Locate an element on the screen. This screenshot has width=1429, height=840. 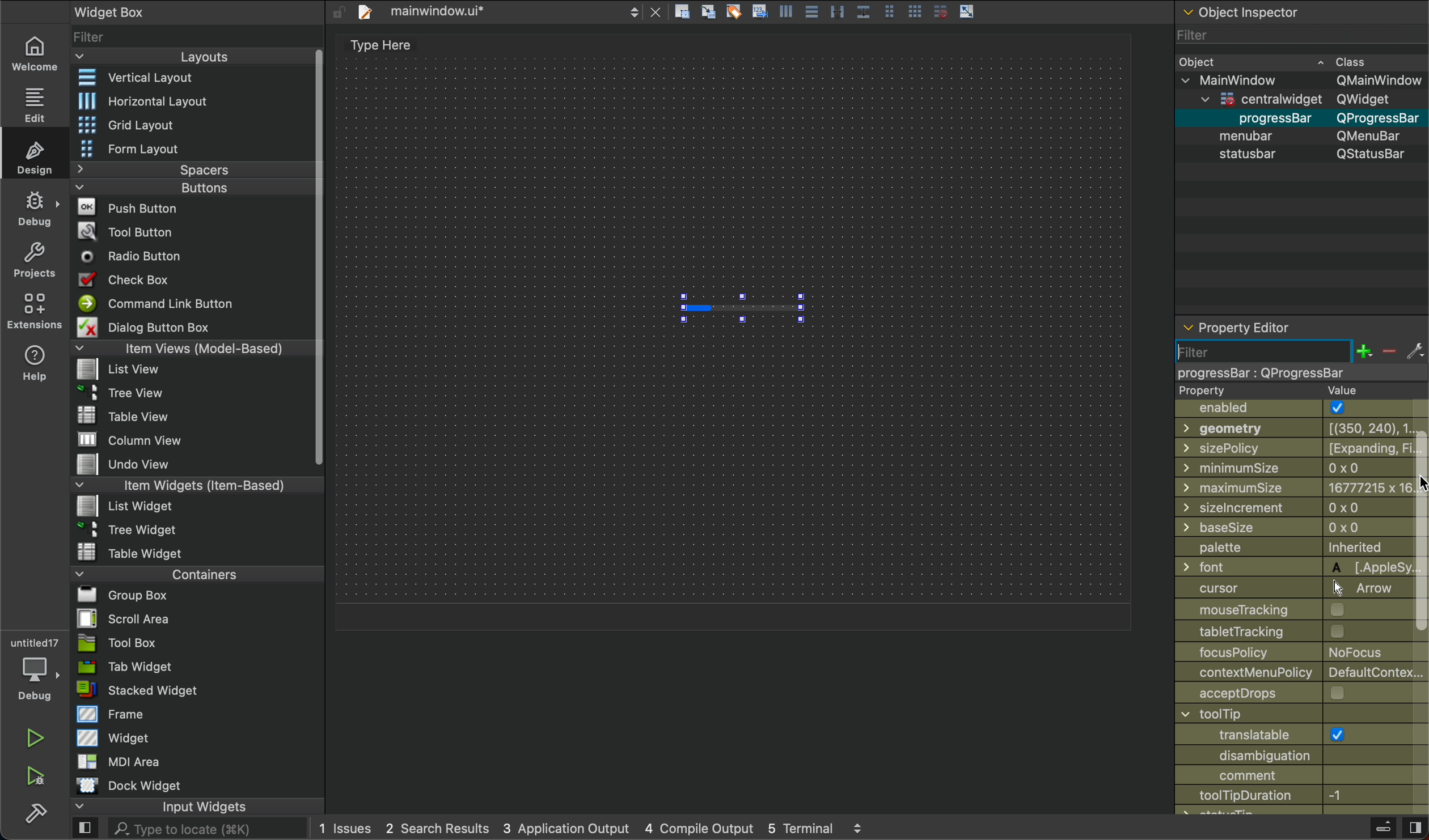
Check Box is located at coordinates (138, 279).